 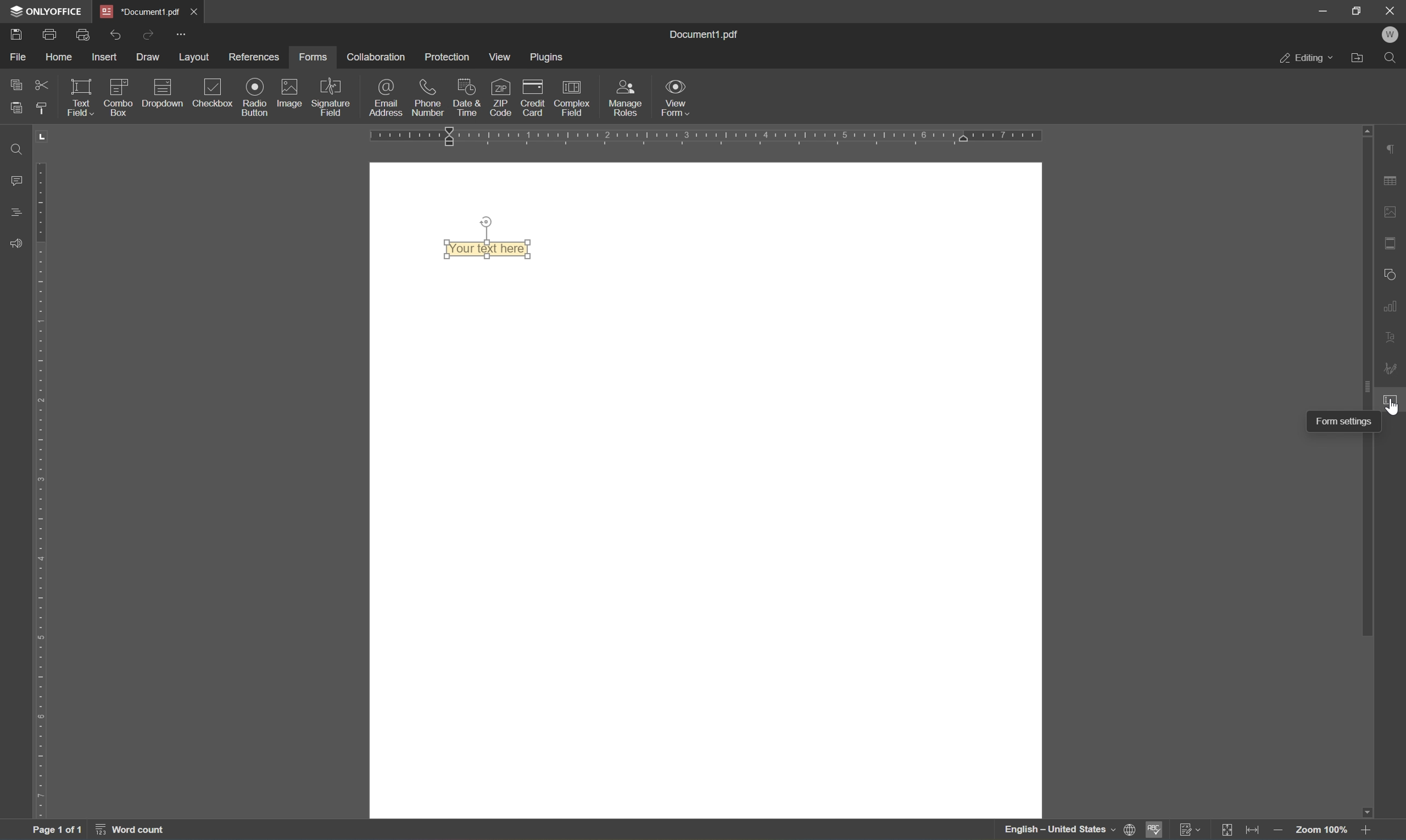 What do you see at coordinates (1130, 830) in the screenshot?
I see `set document language` at bounding box center [1130, 830].